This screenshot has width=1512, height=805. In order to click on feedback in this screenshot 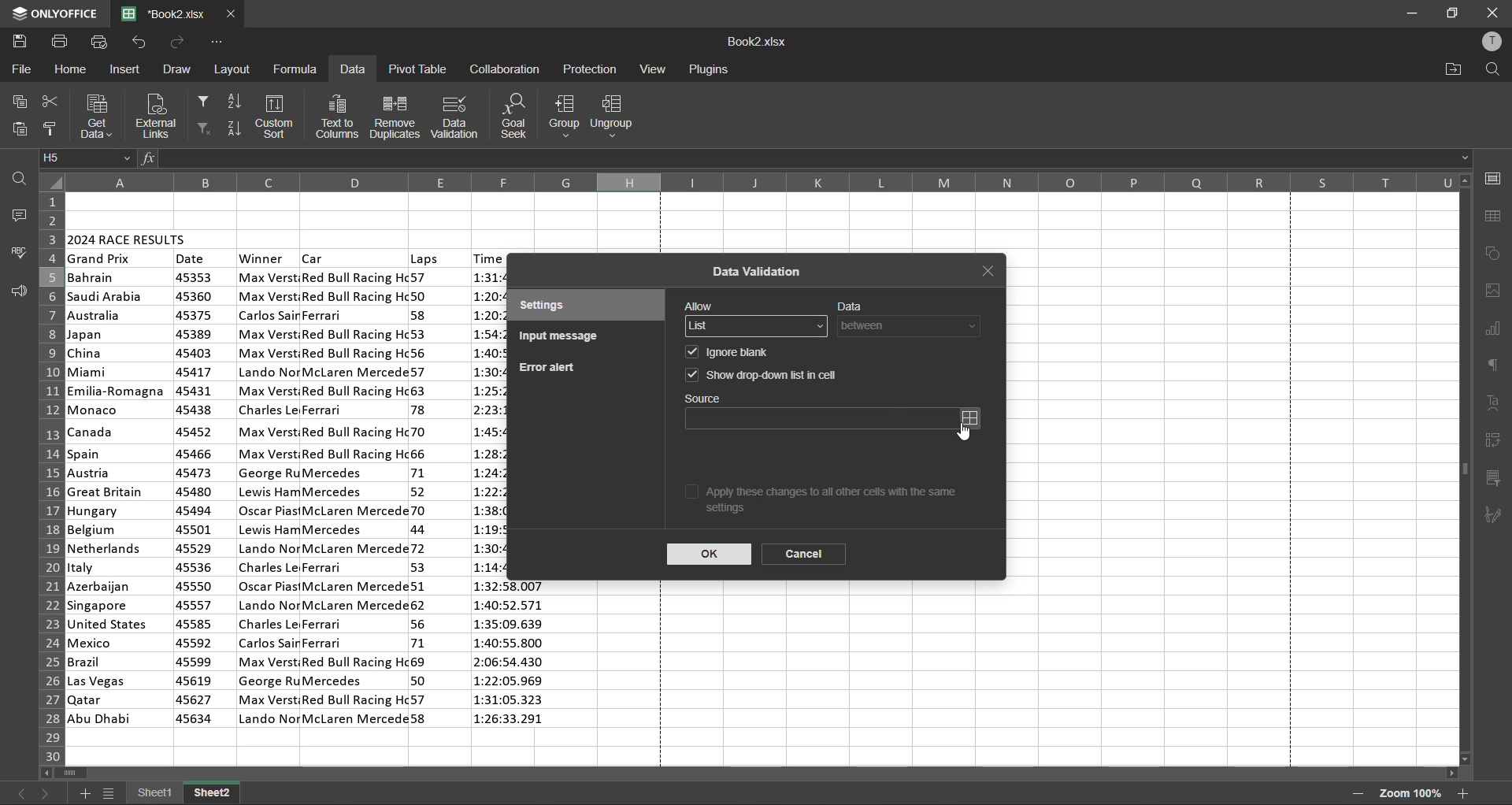, I will do `click(17, 291)`.